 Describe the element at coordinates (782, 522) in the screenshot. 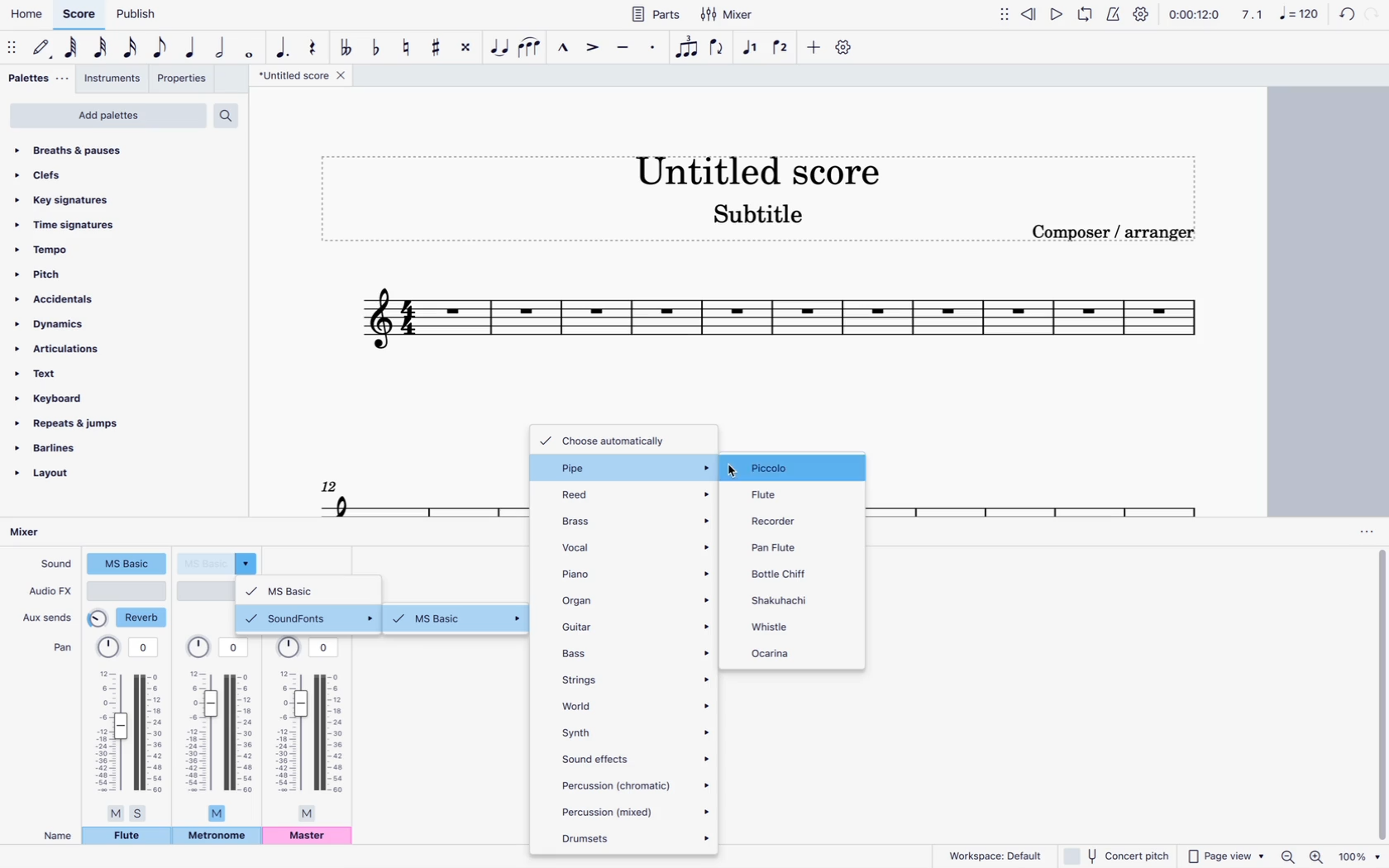

I see `recorder` at that location.